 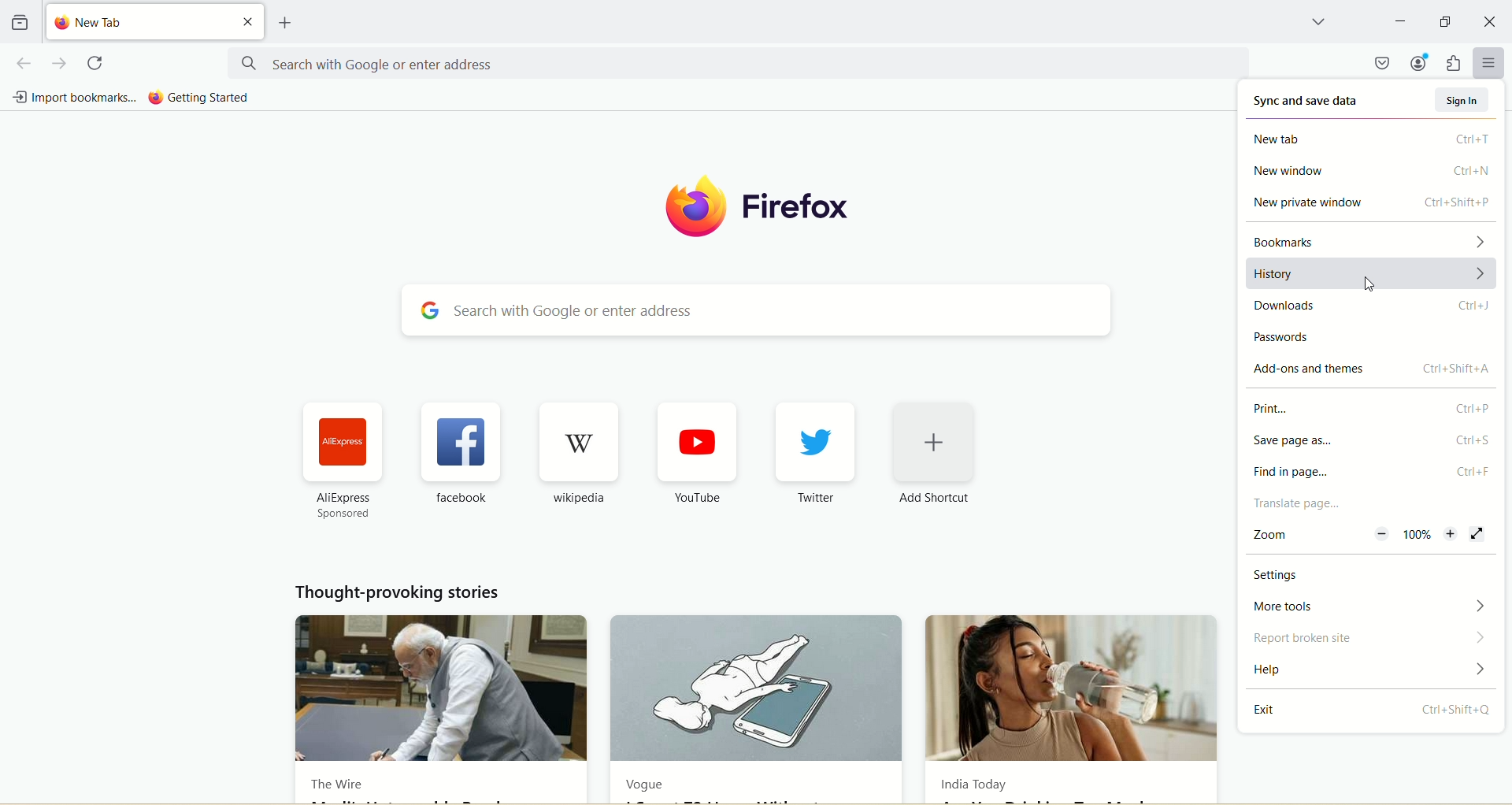 I want to click on wikipedia, so click(x=579, y=443).